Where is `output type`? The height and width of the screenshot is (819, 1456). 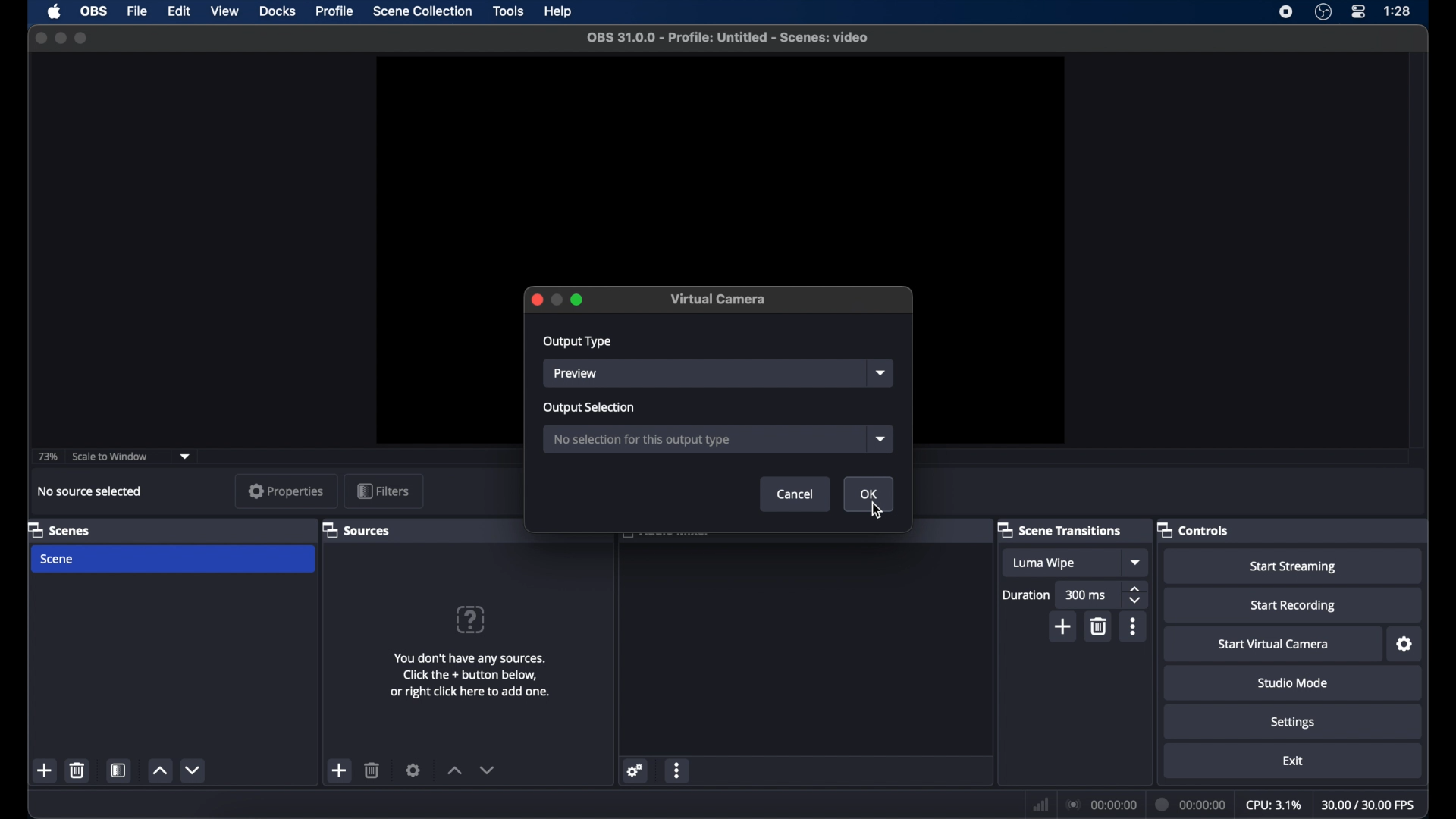
output type is located at coordinates (579, 342).